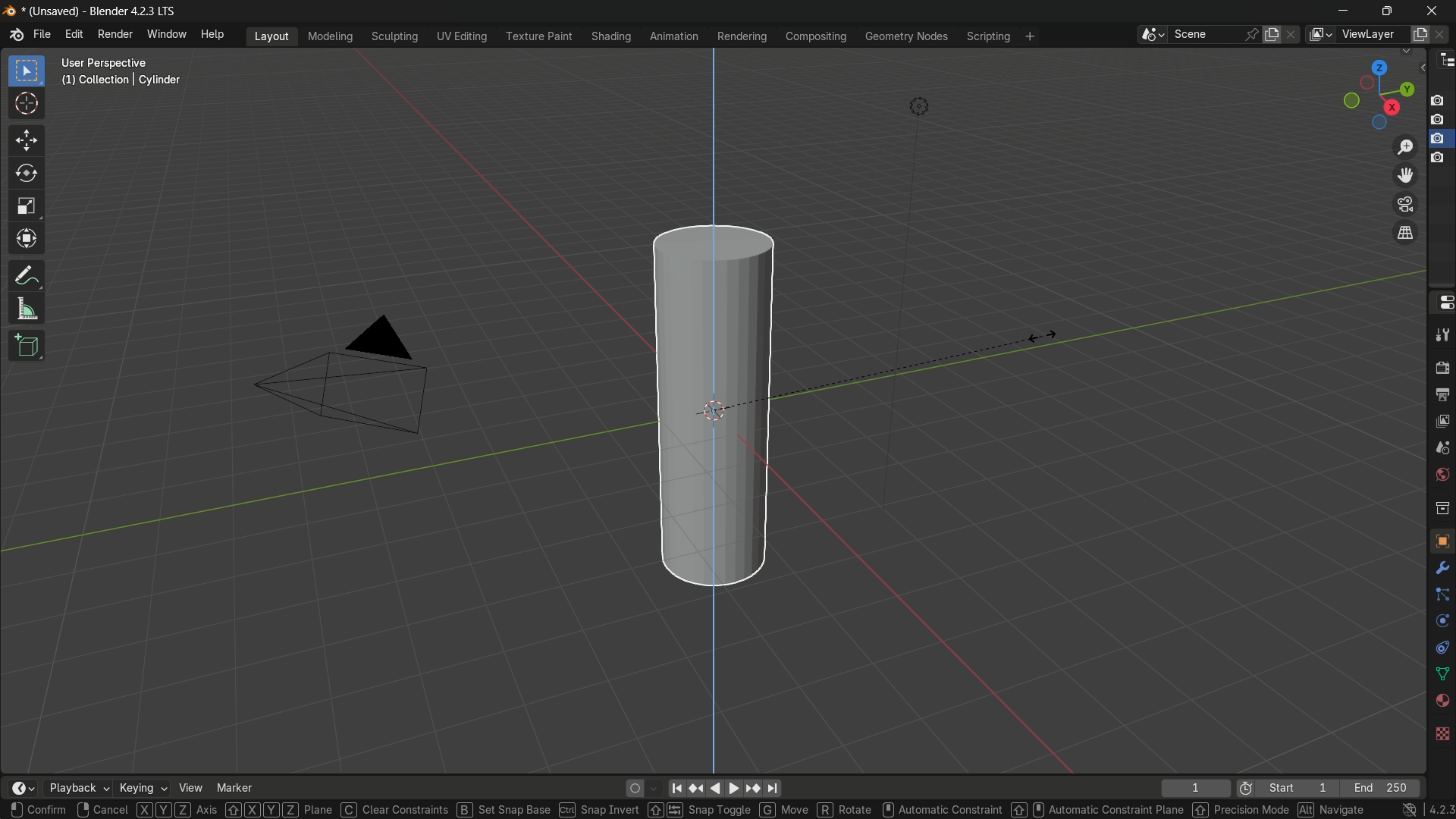 The image size is (1456, 819). Describe the element at coordinates (654, 788) in the screenshot. I see `auto keyframing` at that location.